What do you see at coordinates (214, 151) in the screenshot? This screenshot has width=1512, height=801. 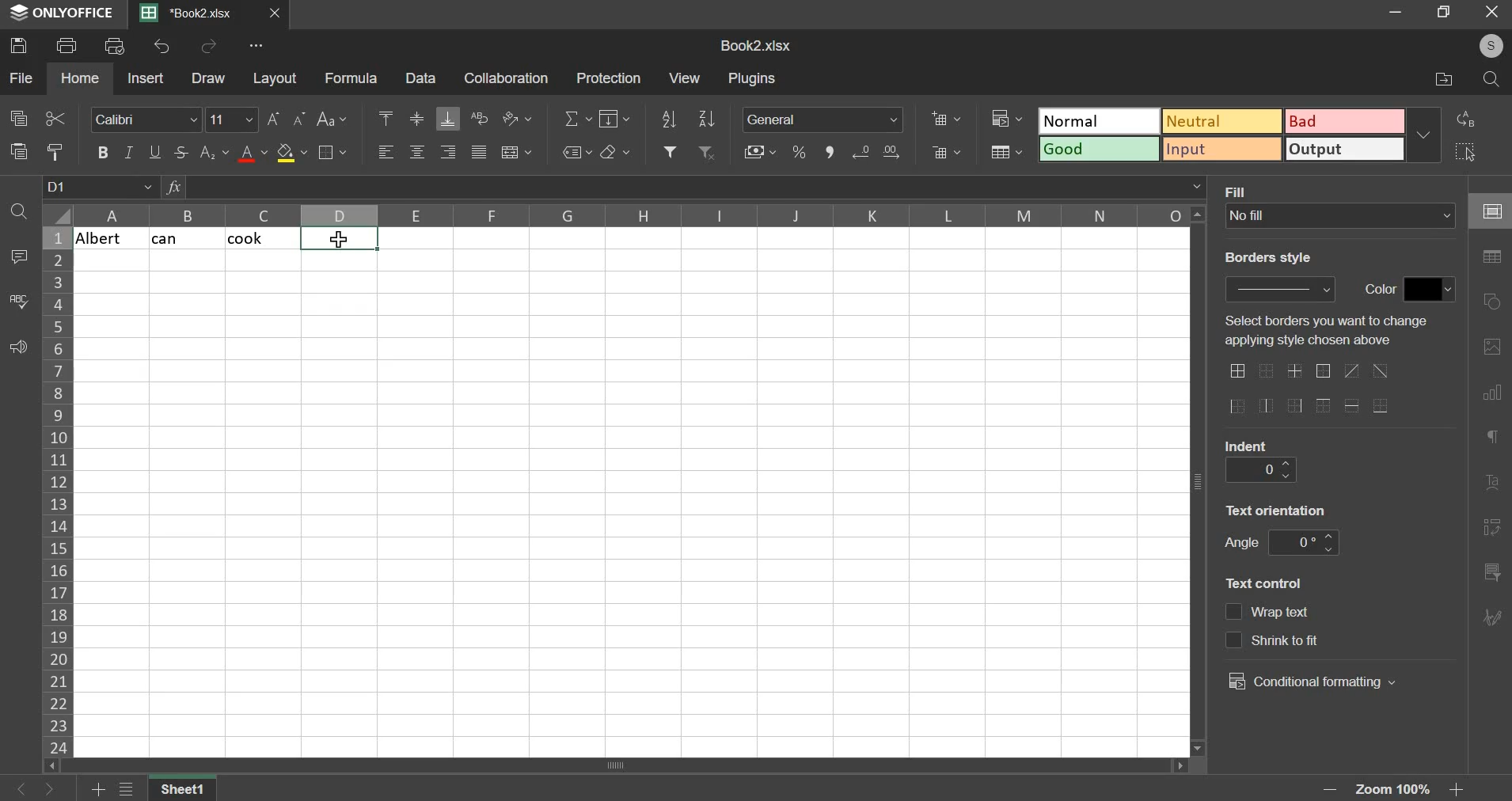 I see `subscript & superscript` at bounding box center [214, 151].